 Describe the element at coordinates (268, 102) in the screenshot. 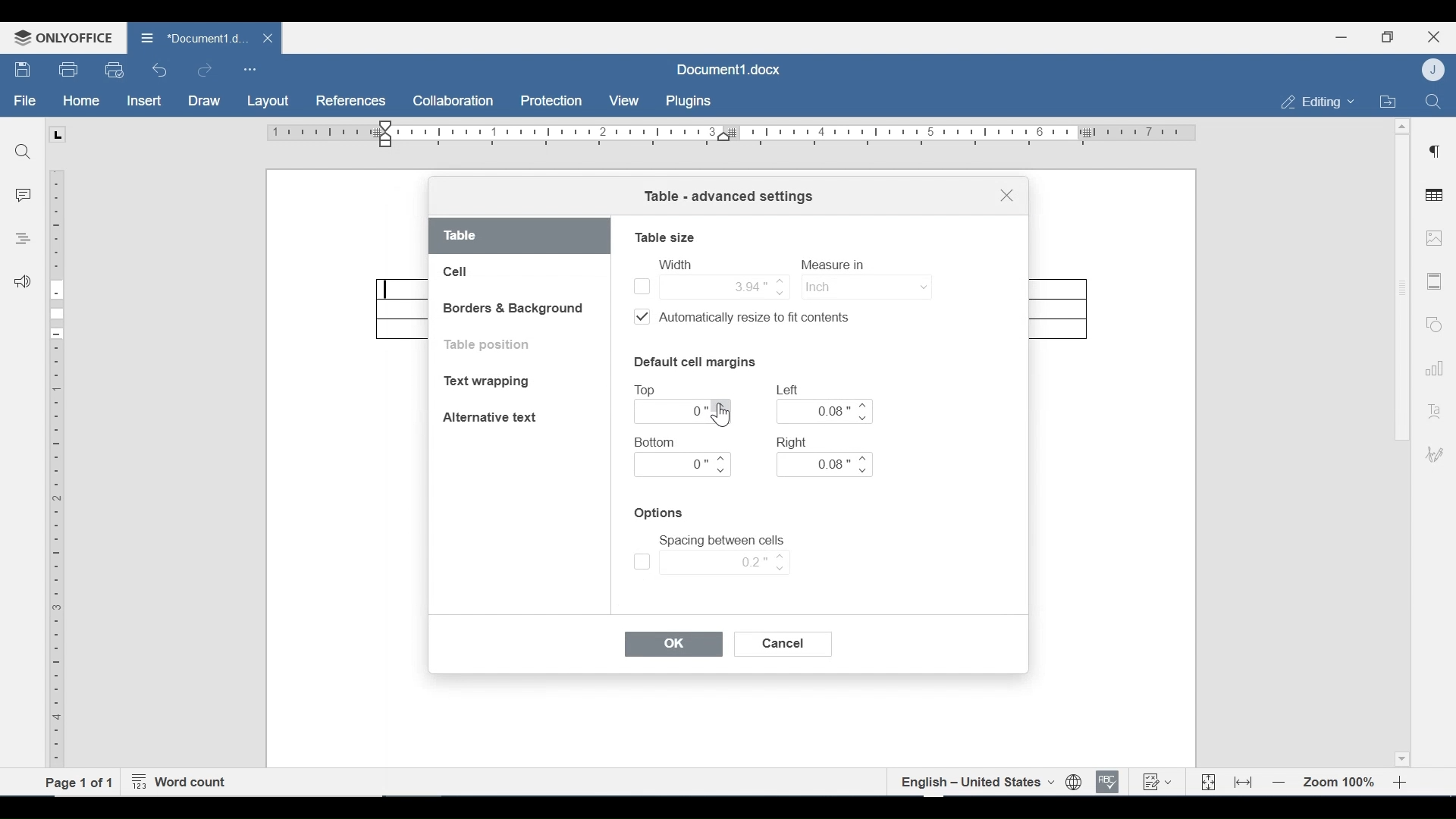

I see `Layout` at that location.